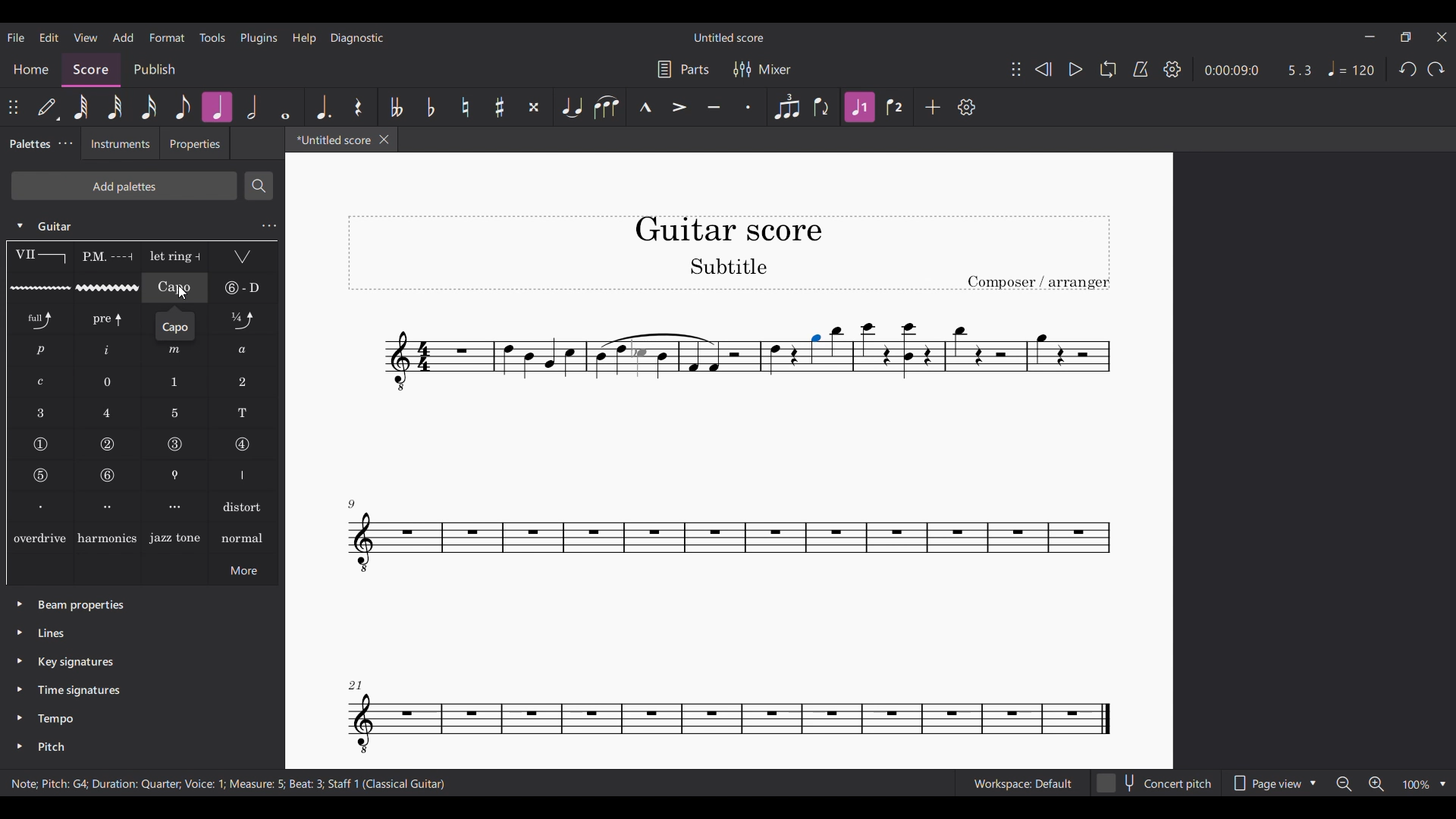  Describe the element at coordinates (714, 107) in the screenshot. I see `Tenuto` at that location.